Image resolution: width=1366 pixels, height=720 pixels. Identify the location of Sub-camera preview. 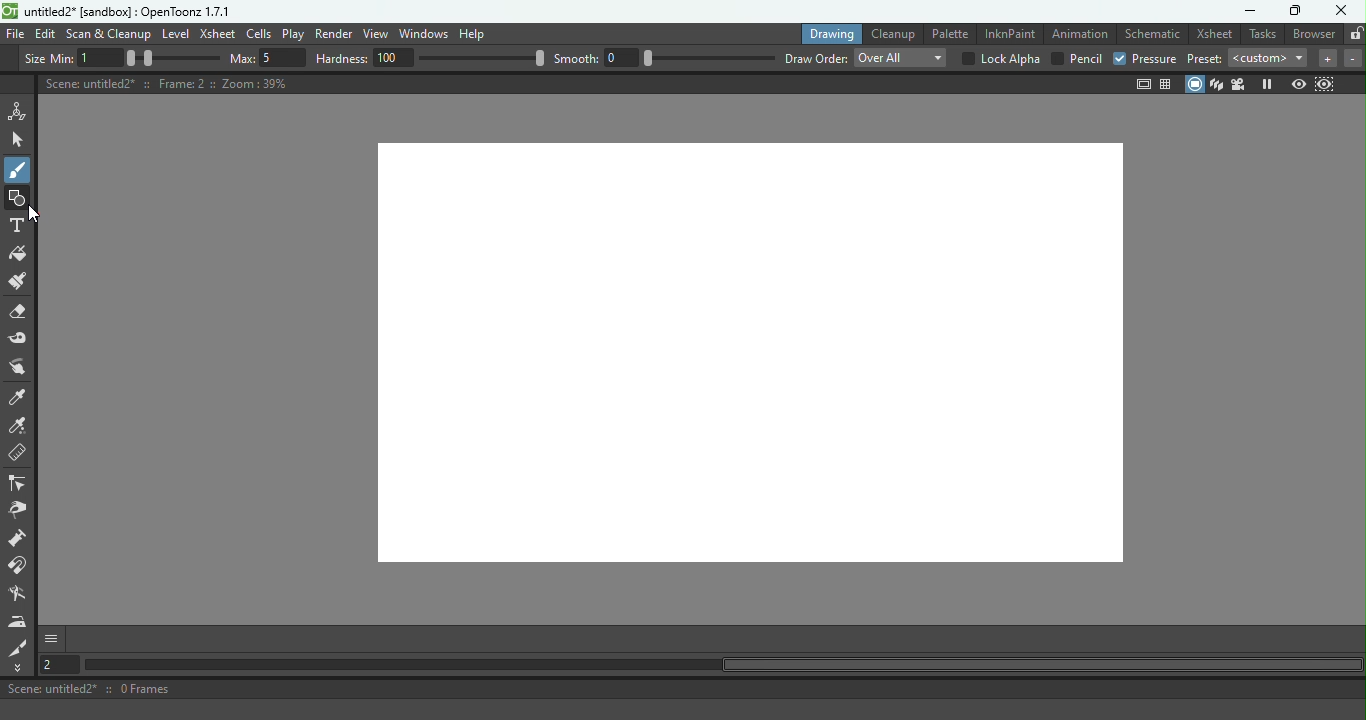
(1323, 83).